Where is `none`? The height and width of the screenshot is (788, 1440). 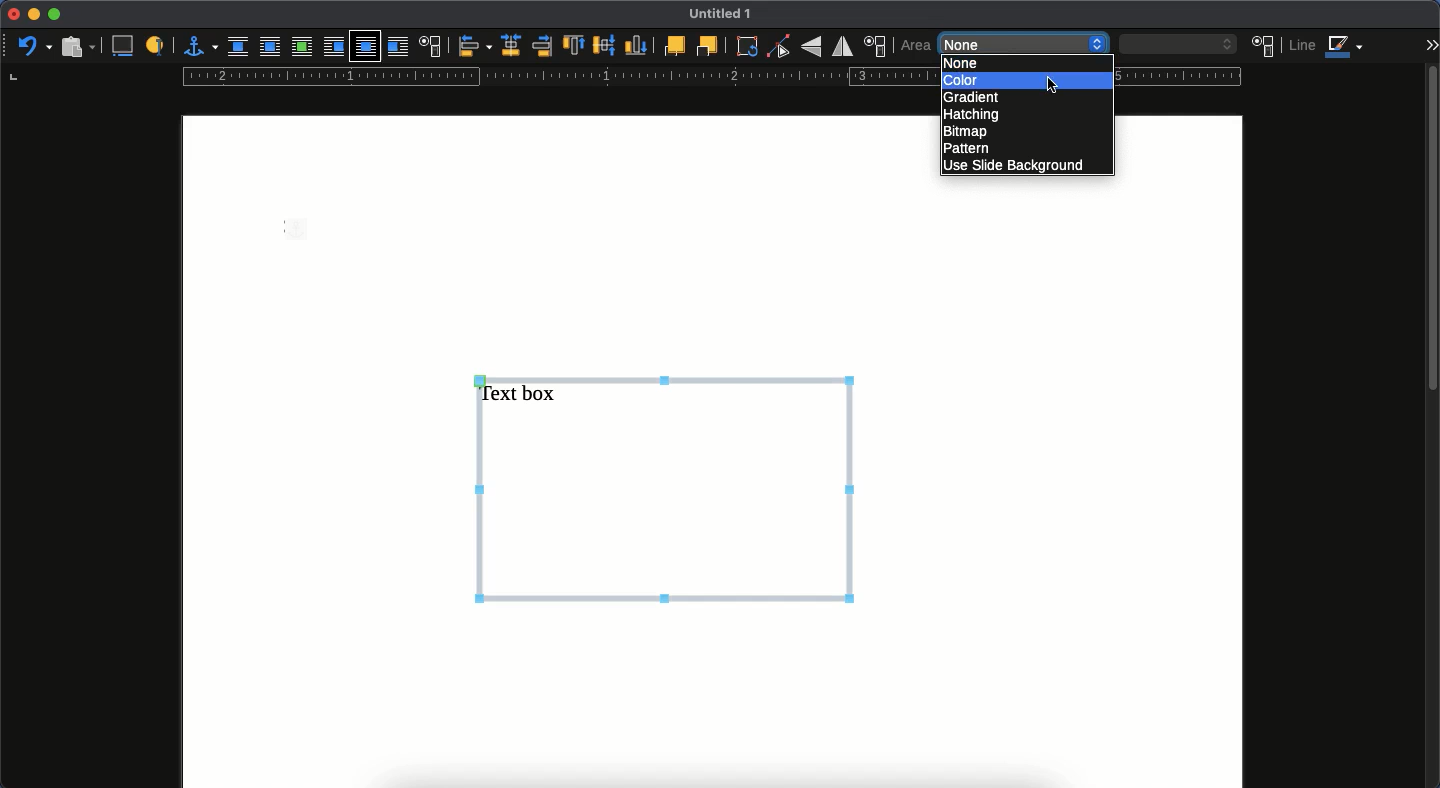 none is located at coordinates (1024, 43).